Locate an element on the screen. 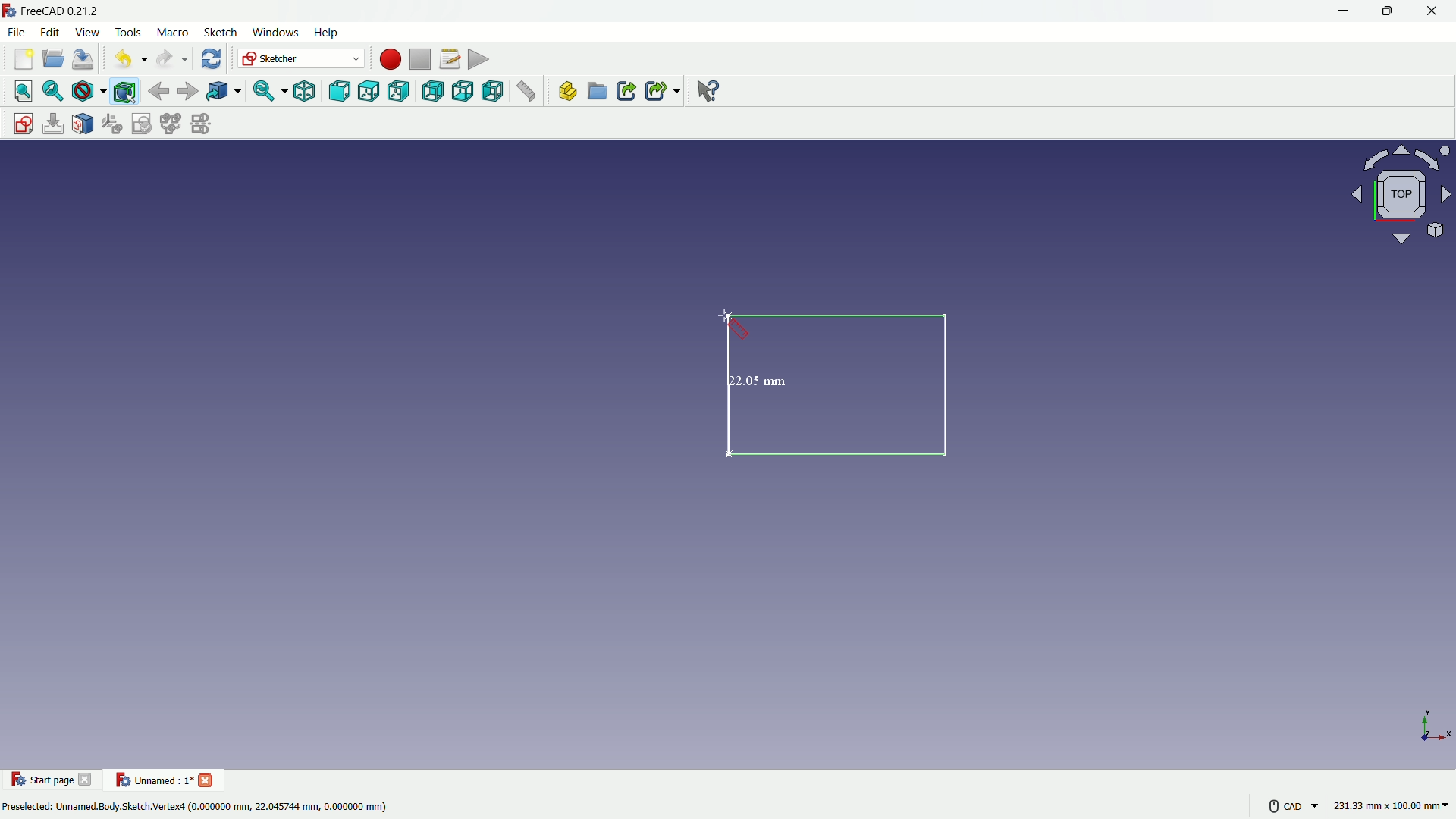  switch workbenches is located at coordinates (301, 59).